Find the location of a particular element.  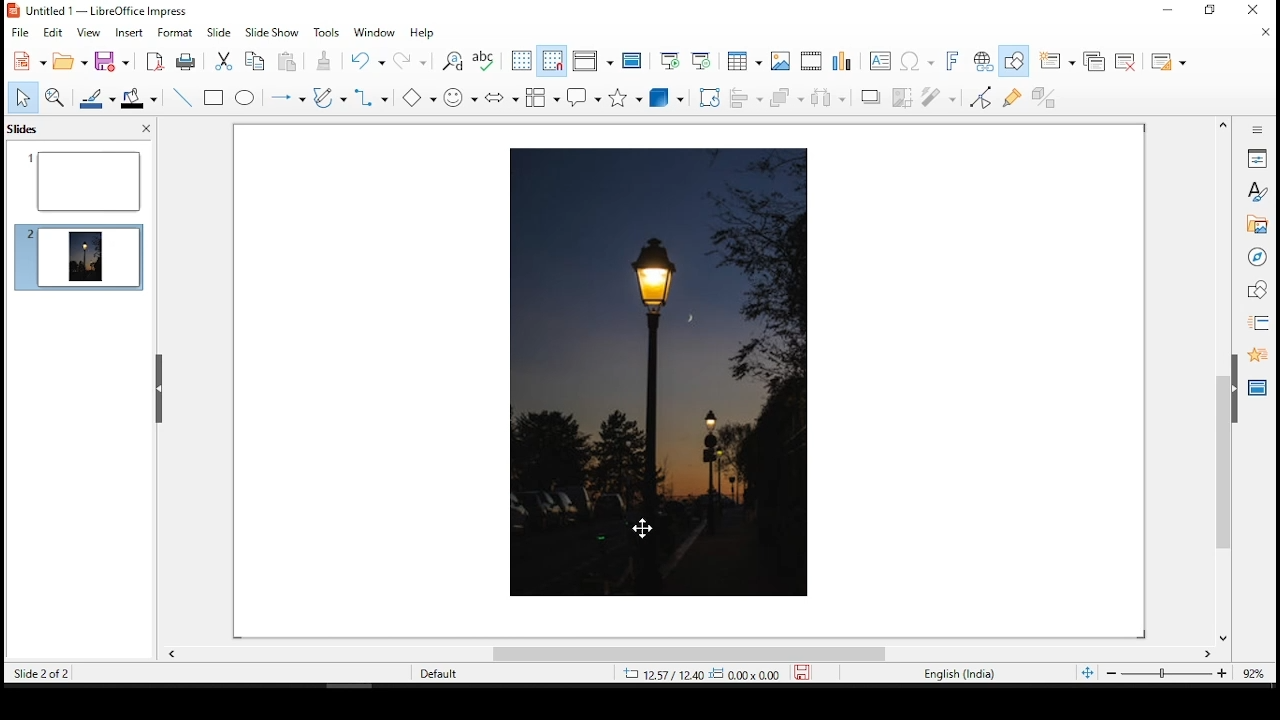

show draw functions is located at coordinates (1011, 61).